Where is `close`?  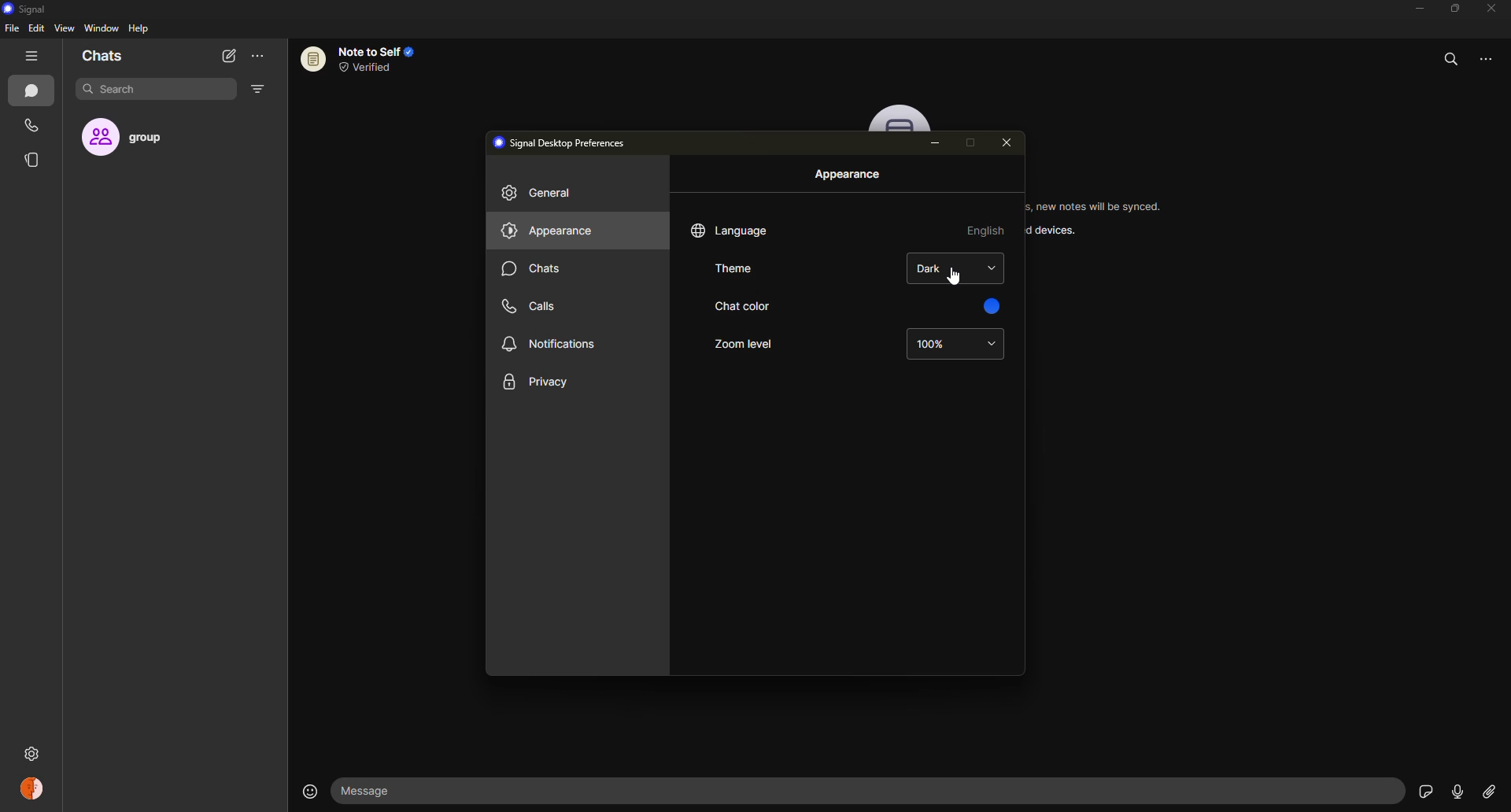 close is located at coordinates (1008, 142).